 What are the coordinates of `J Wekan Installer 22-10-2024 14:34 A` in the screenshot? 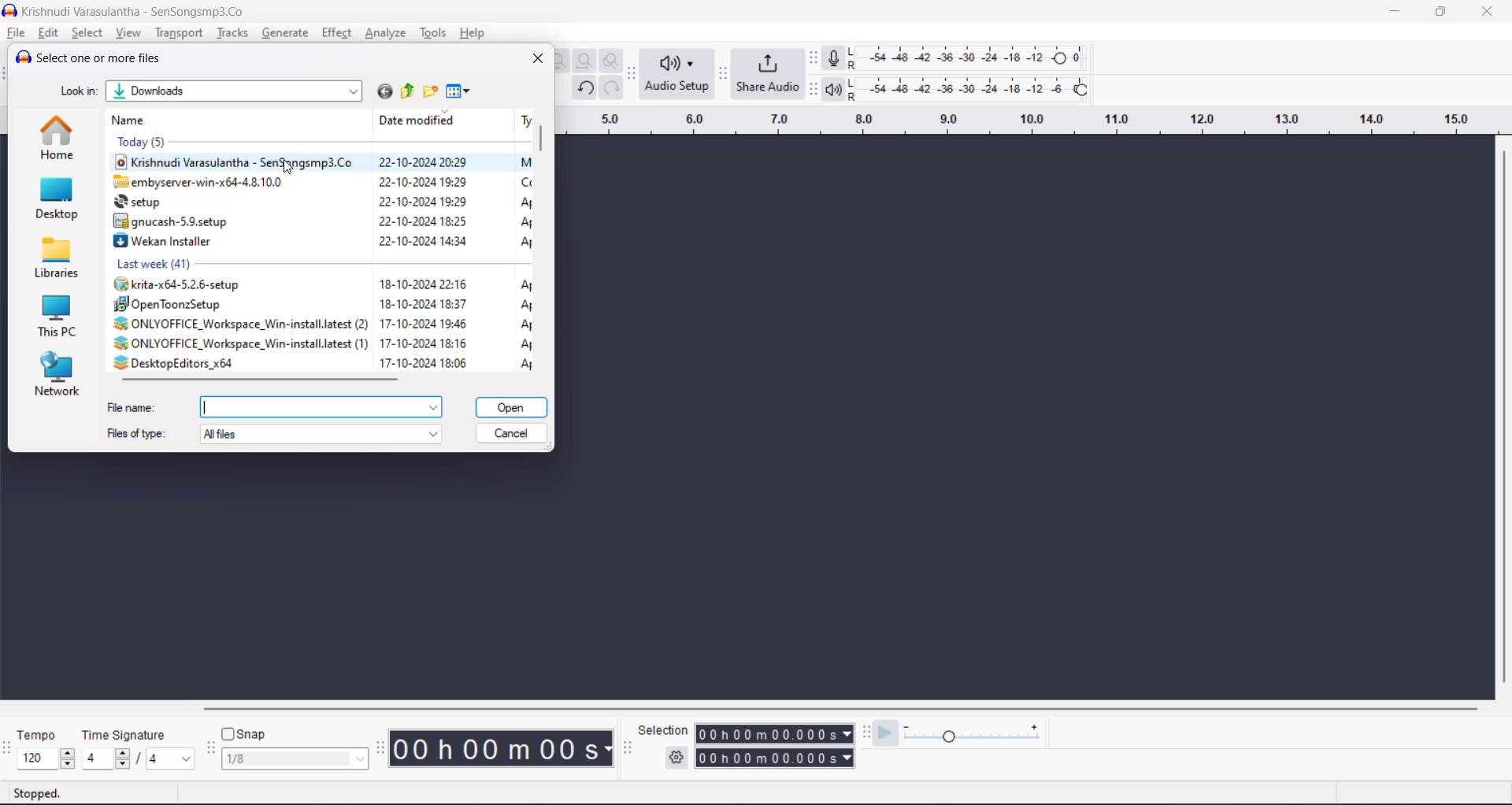 It's located at (322, 239).